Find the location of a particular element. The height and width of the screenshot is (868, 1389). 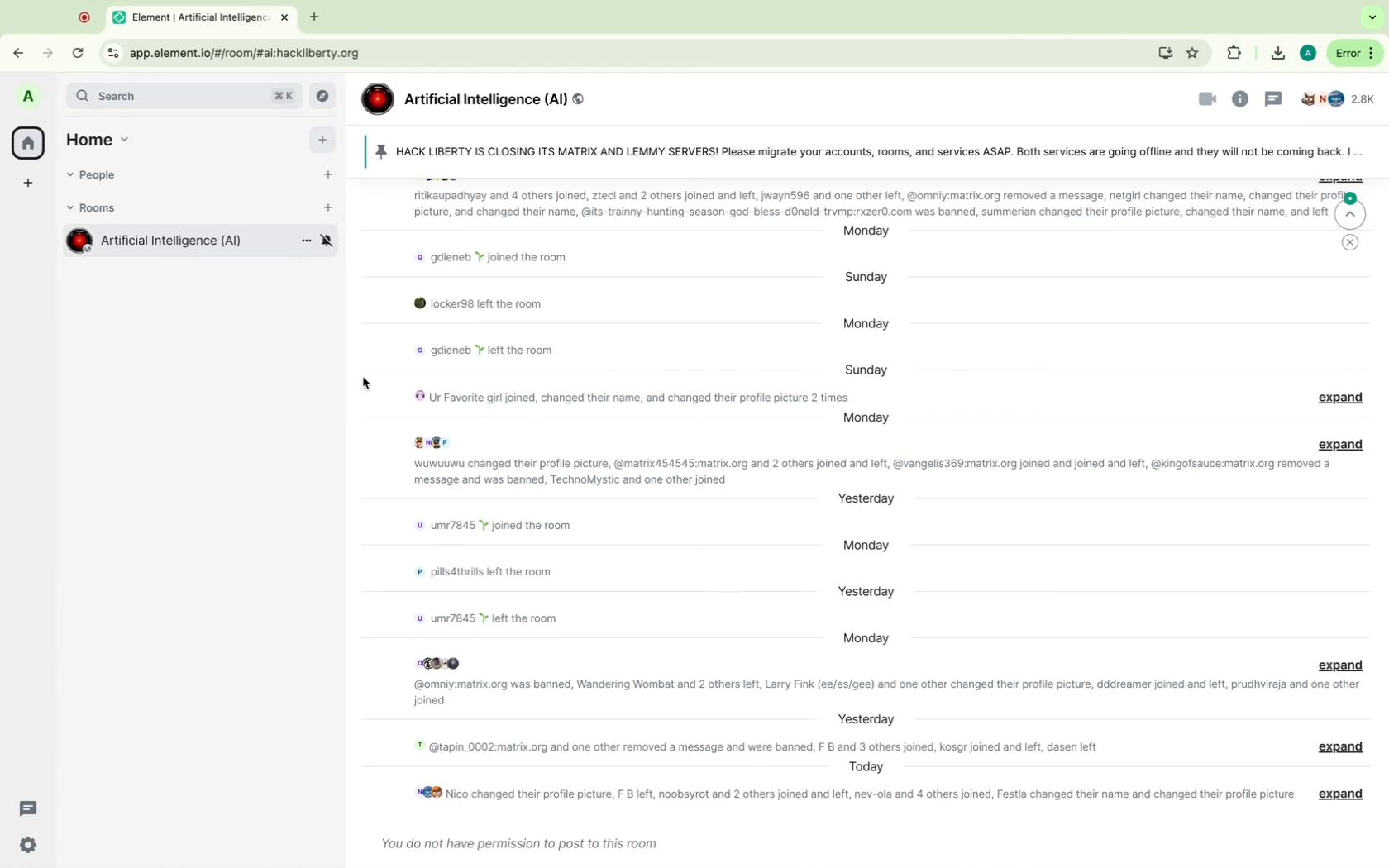

more is located at coordinates (302, 243).